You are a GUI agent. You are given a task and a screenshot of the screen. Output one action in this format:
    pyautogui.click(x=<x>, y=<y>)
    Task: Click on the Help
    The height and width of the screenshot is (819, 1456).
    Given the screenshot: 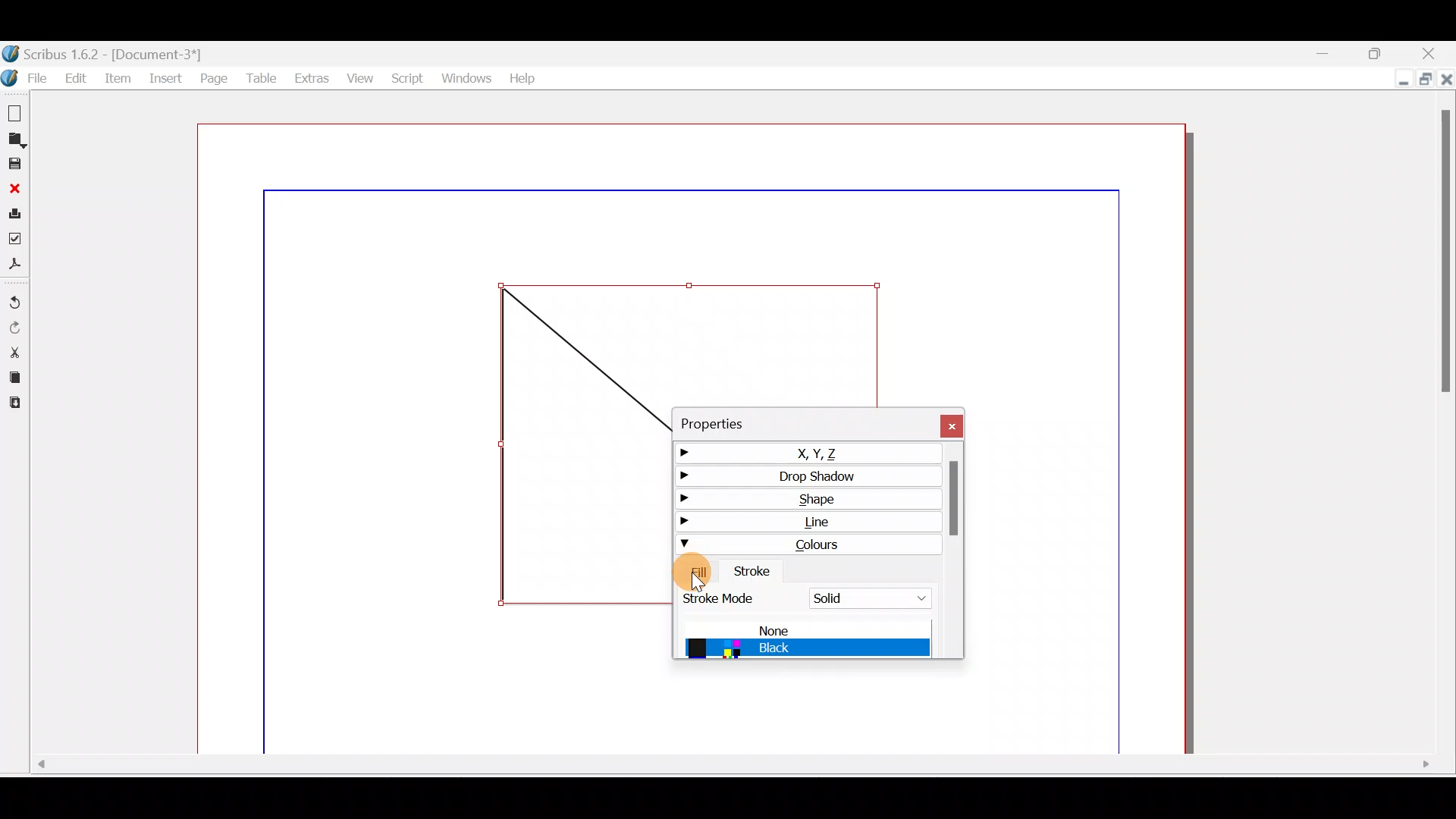 What is the action you would take?
    pyautogui.click(x=522, y=77)
    